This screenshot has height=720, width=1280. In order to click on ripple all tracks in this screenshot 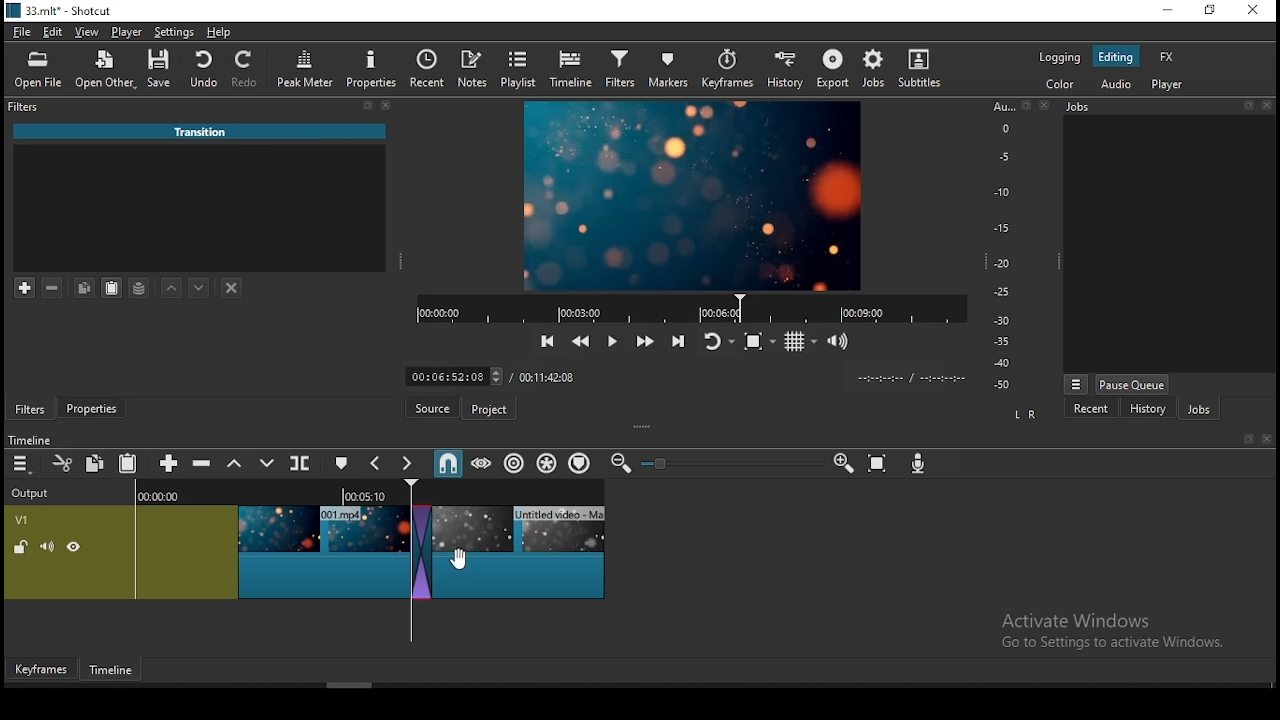, I will do `click(547, 462)`.